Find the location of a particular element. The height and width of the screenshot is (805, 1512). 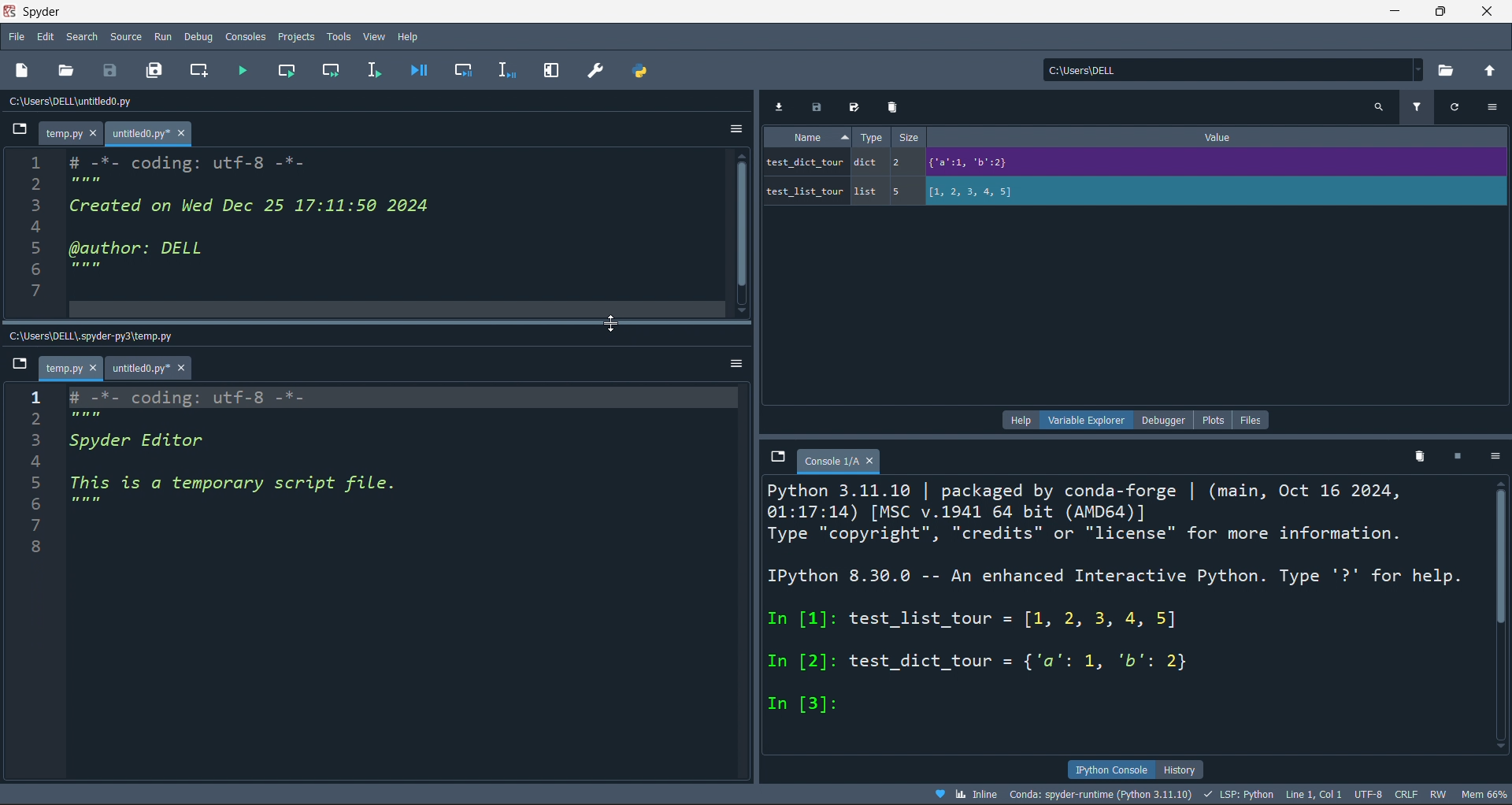

Python 5.11.10 | packaged by conda-torge | (main, Oct lb 2024,
01:17:14) [MSC v.1941 64 bit (AMD64)]

Type "copyright", "credits" or "license" for more information.
IPython 8.30.0 -- An enhanced Interactive Python. Type '?' for help.
In [1]: test_list_tour = [1, 2, 3, 4, 5]

In [2]: test_dict_tour = {‘a': 1, 'b': 2}

In [3]: is located at coordinates (1117, 600).